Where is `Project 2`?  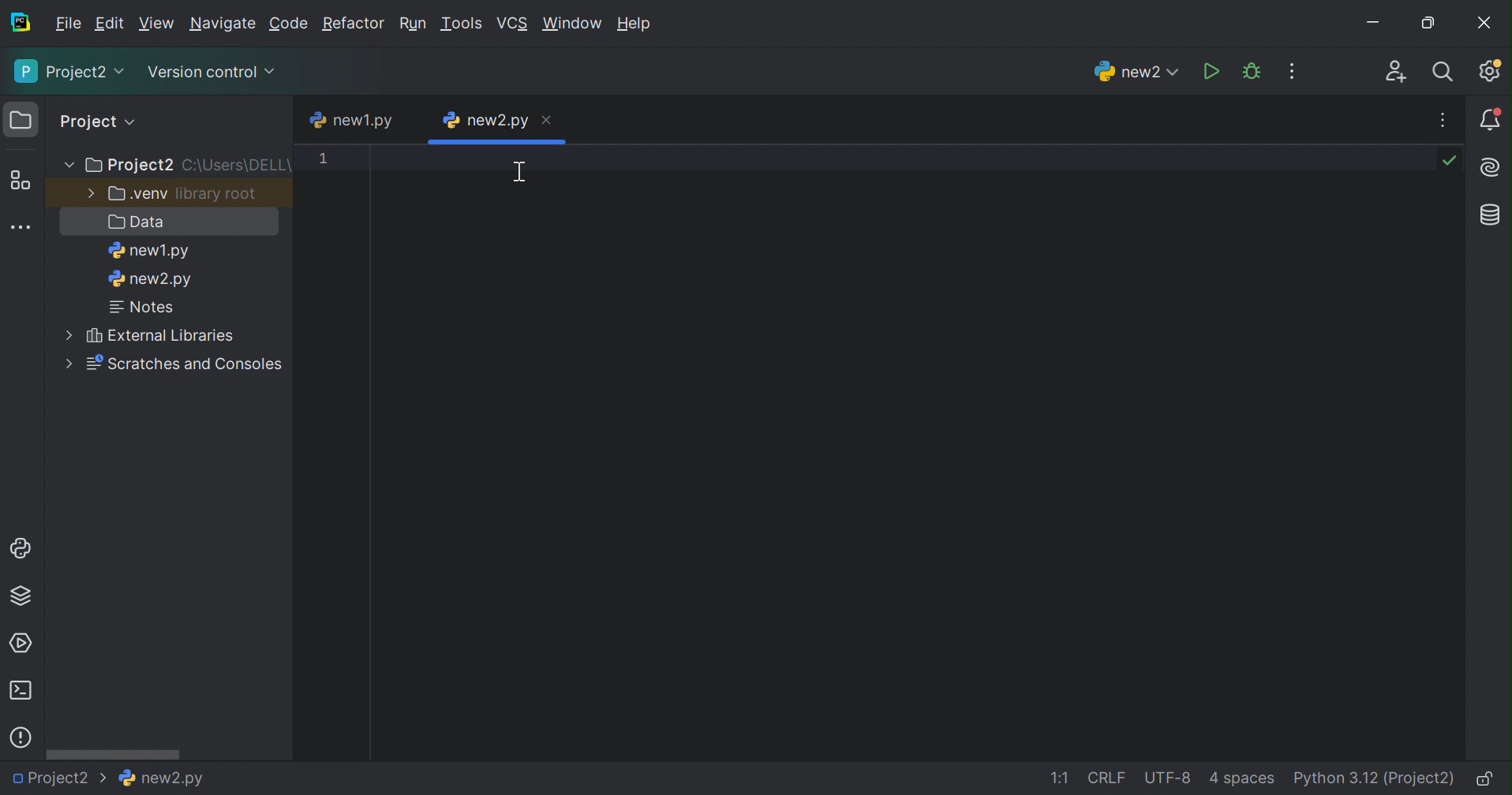
Project 2 is located at coordinates (132, 166).